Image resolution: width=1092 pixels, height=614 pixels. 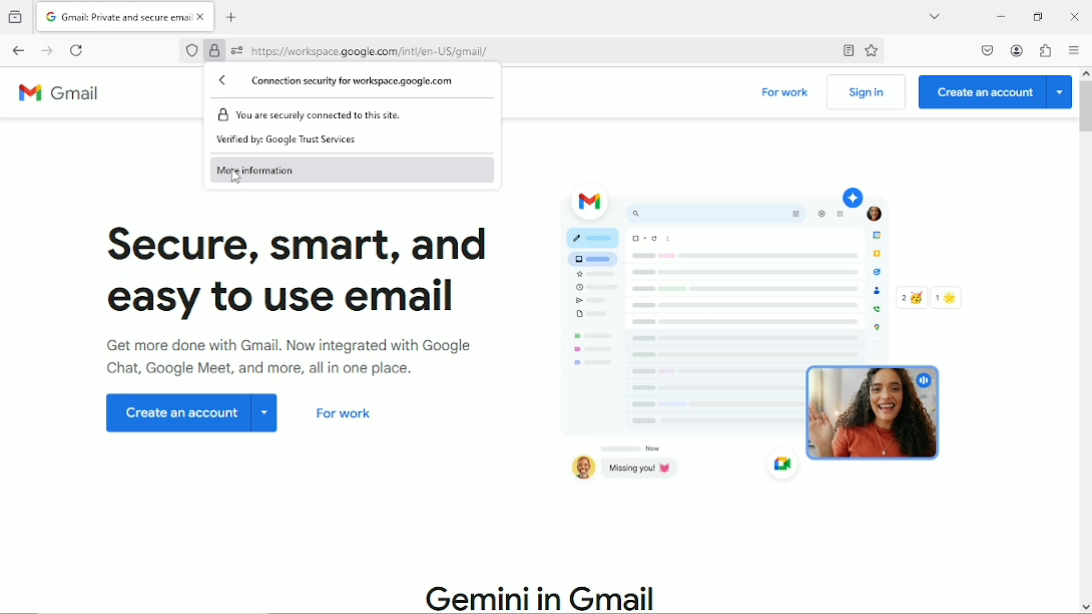 What do you see at coordinates (191, 412) in the screenshot?
I see `Create an account` at bounding box center [191, 412].